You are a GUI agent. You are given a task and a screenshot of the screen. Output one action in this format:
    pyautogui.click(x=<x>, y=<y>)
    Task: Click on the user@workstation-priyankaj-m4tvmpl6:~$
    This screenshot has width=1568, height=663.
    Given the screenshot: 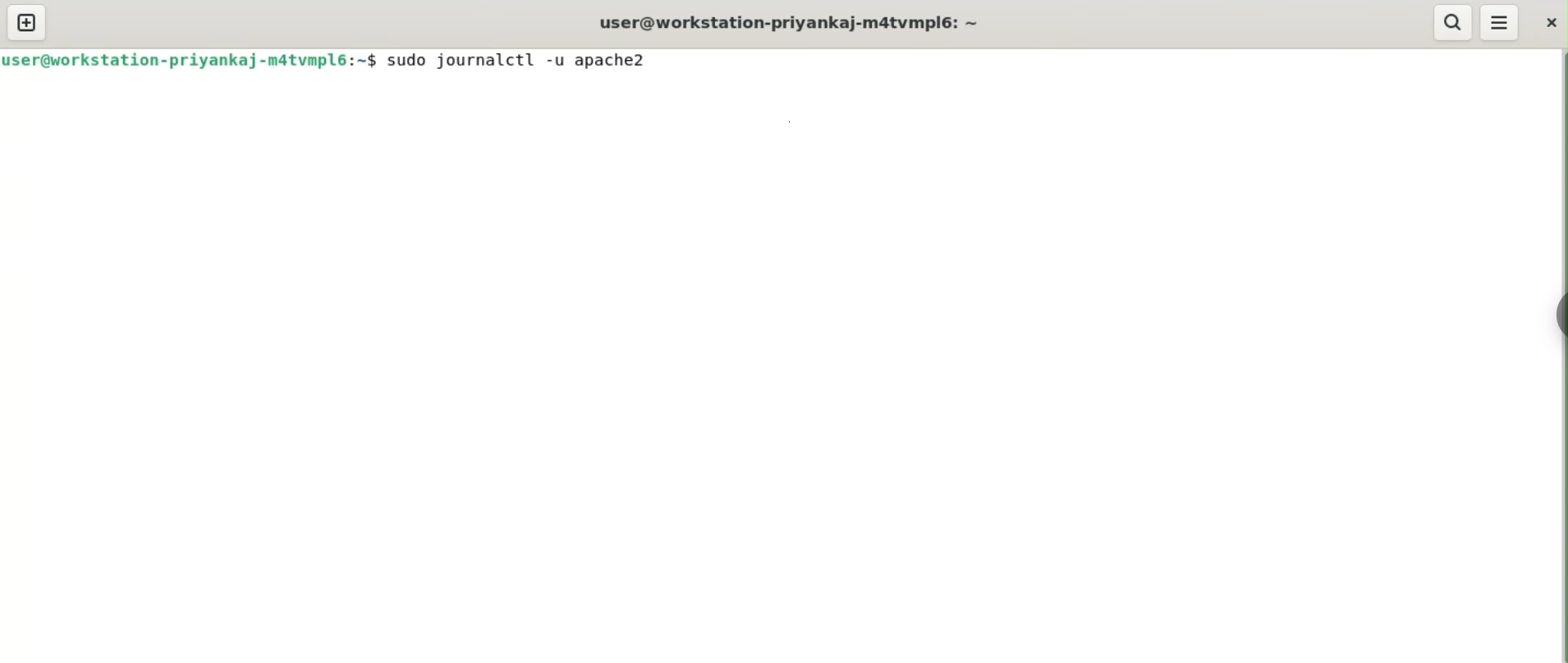 What is the action you would take?
    pyautogui.click(x=191, y=60)
    